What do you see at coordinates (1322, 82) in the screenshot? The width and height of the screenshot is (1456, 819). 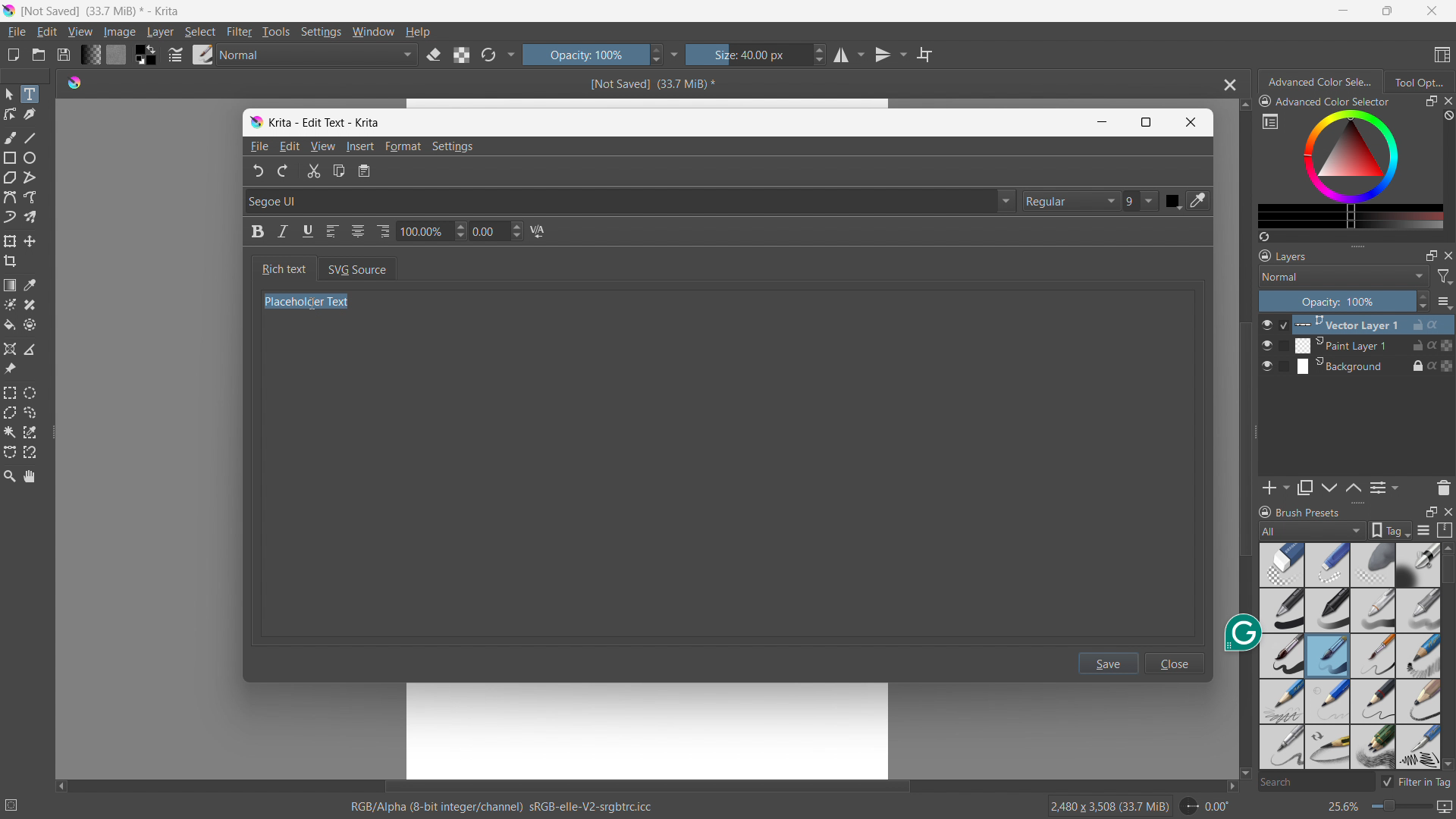 I see `advanced color selection` at bounding box center [1322, 82].